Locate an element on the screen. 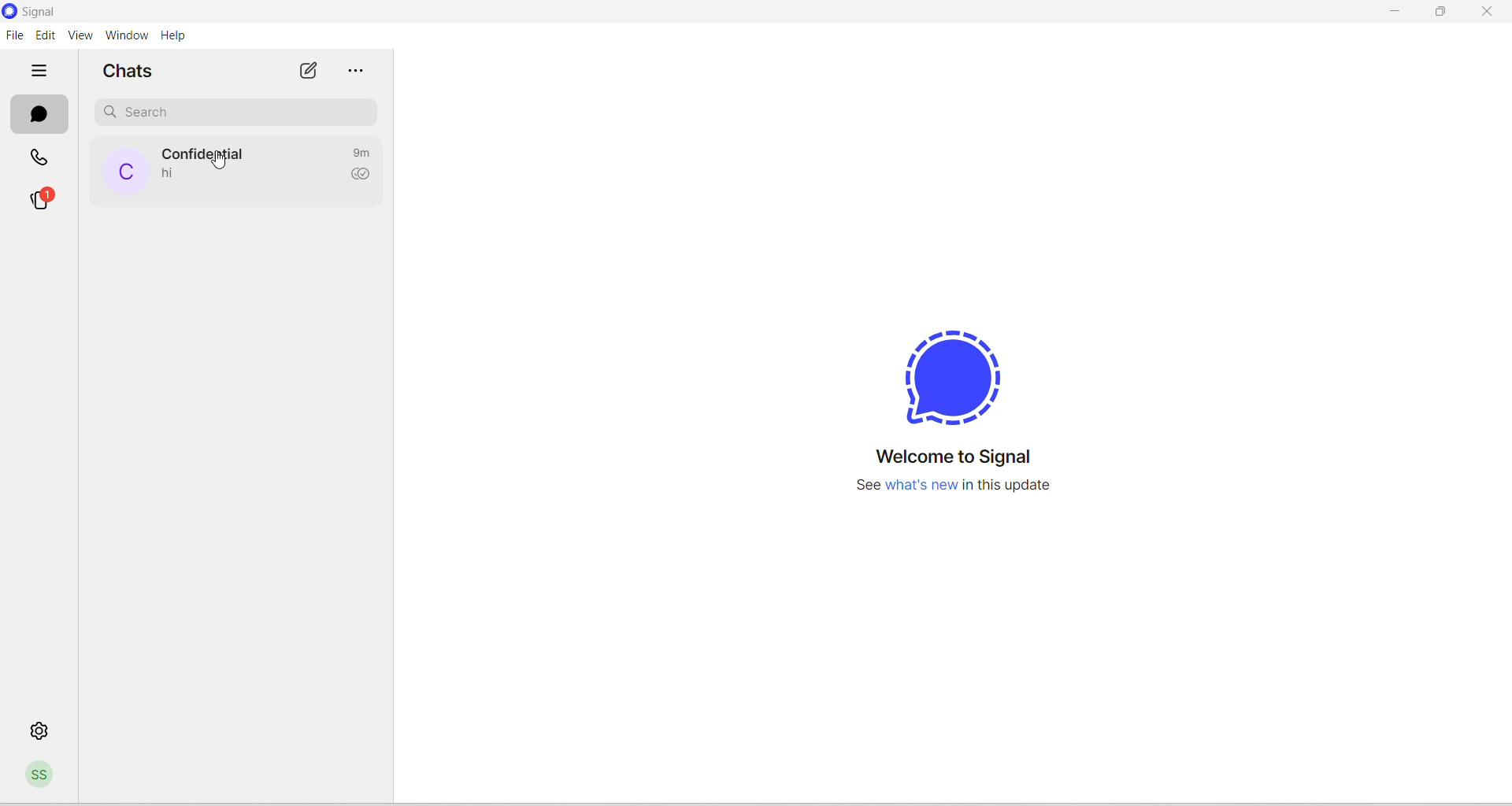 The image size is (1512, 806). profile is located at coordinates (43, 777).